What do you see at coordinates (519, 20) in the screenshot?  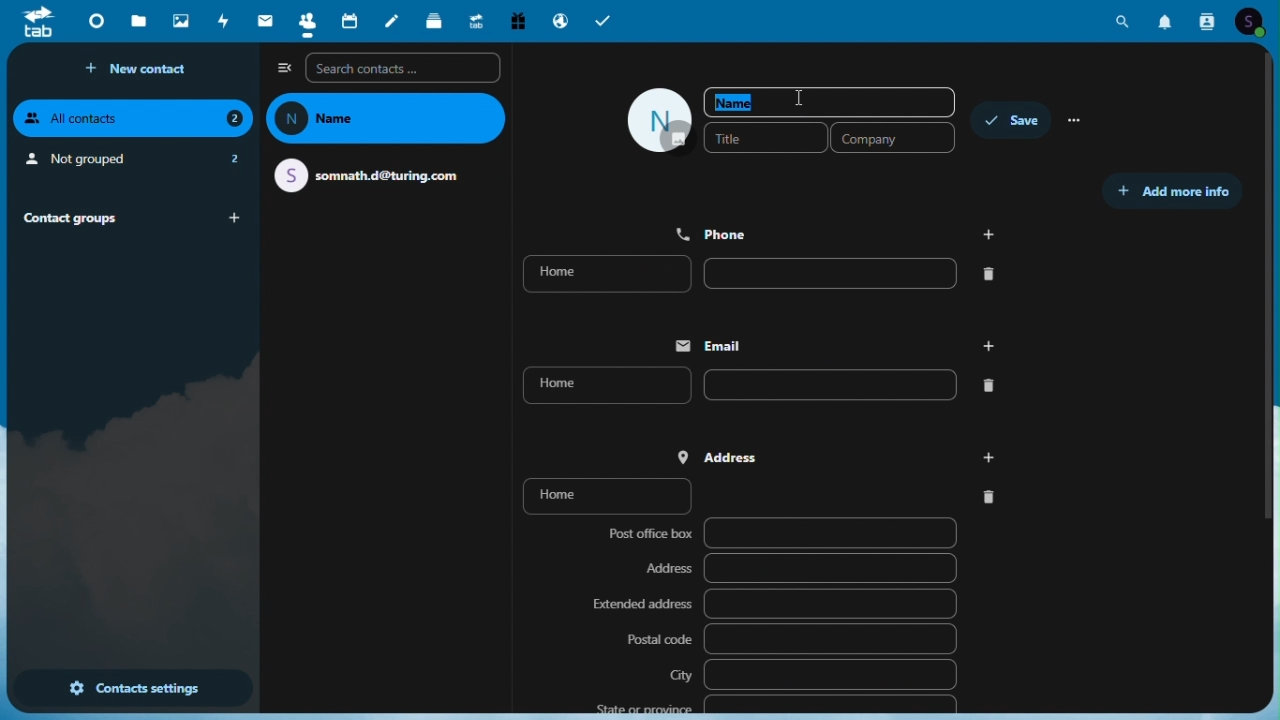 I see `free trial` at bounding box center [519, 20].